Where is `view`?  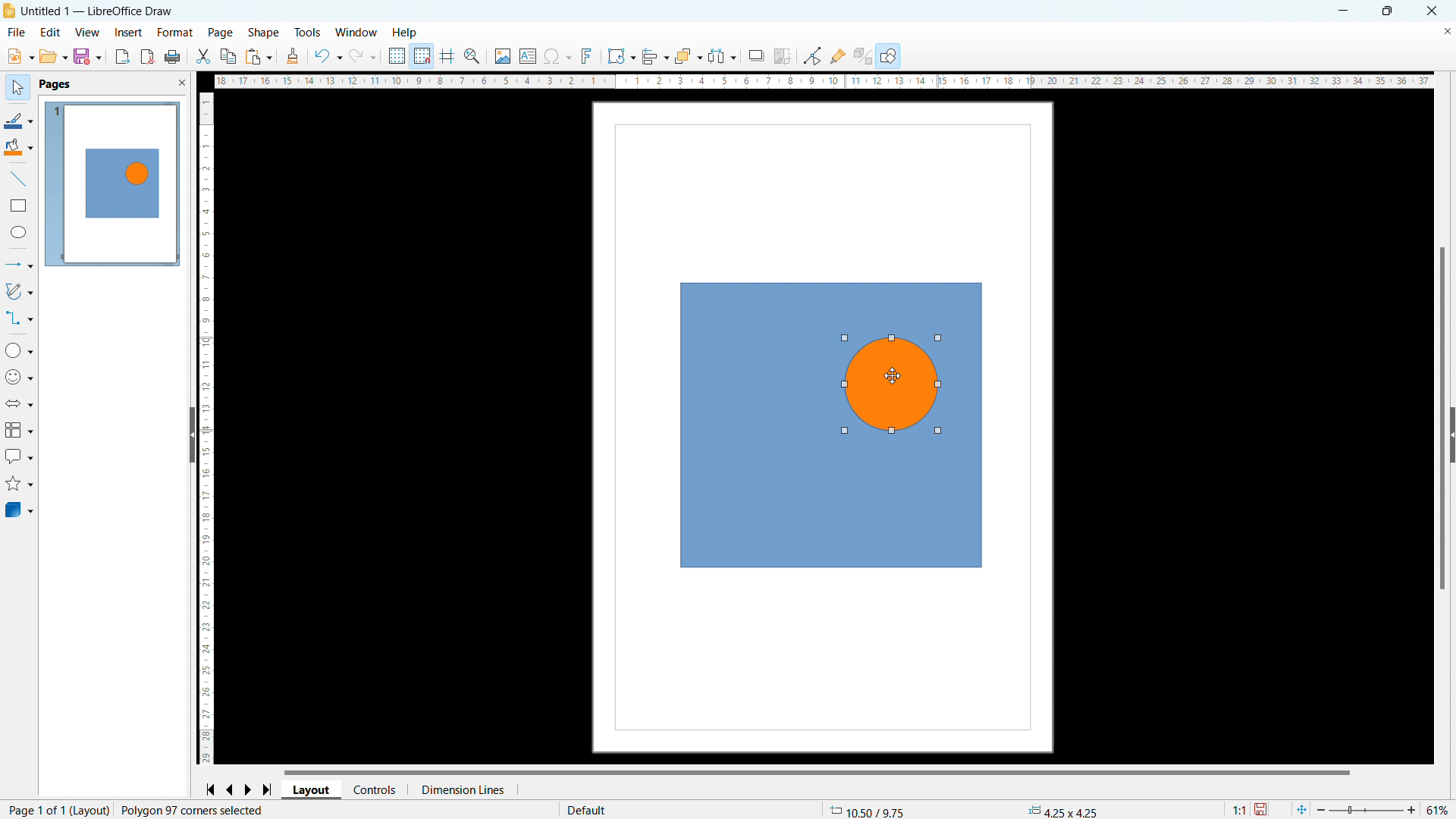 view is located at coordinates (86, 33).